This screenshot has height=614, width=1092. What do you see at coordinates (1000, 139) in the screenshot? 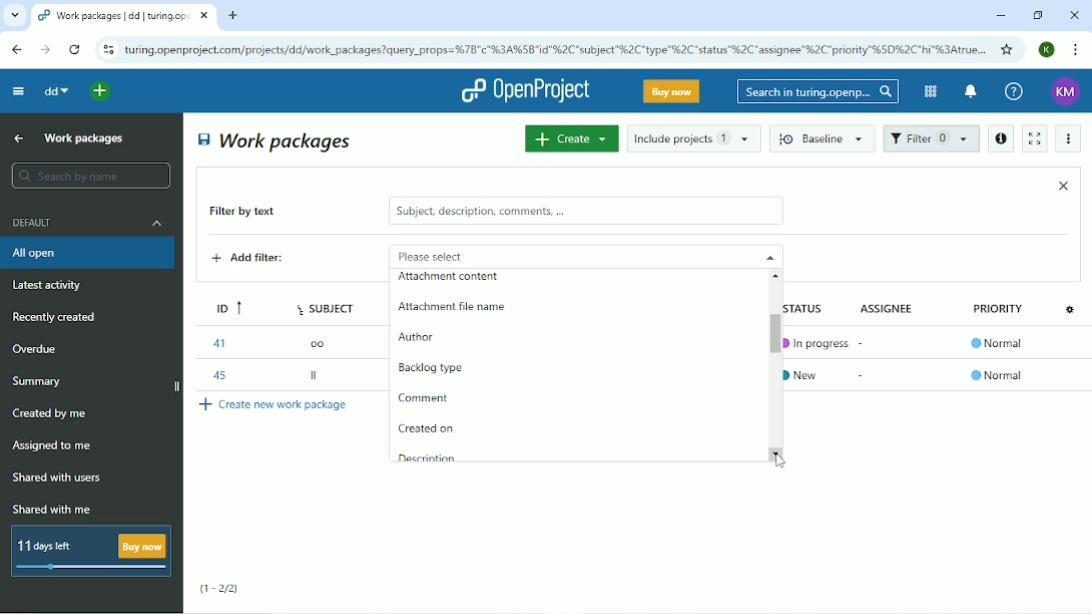
I see `Open details view` at bounding box center [1000, 139].